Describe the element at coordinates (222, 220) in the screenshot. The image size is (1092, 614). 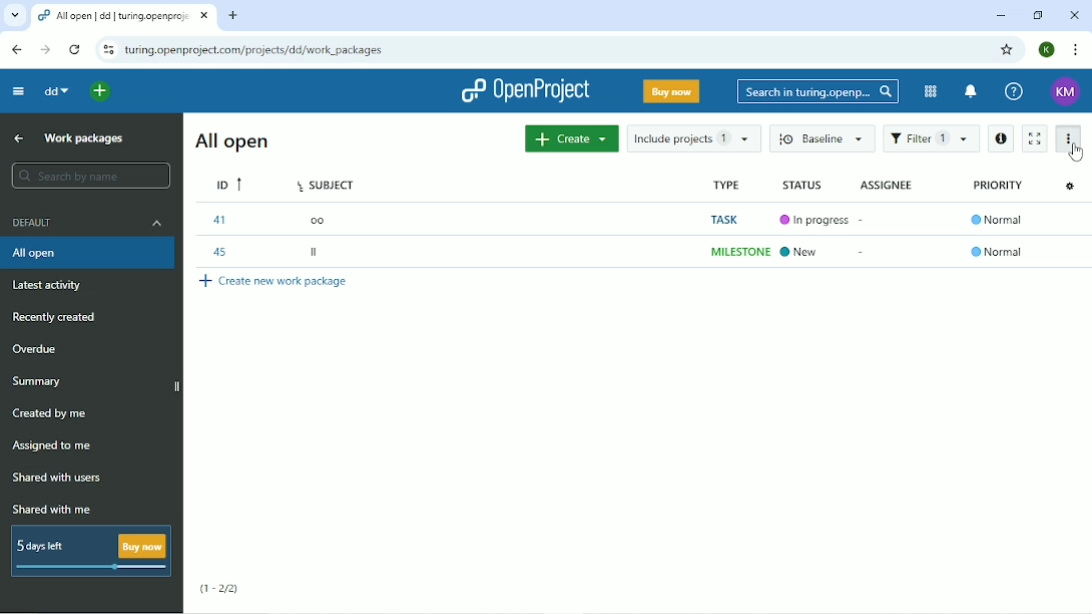
I see `41` at that location.